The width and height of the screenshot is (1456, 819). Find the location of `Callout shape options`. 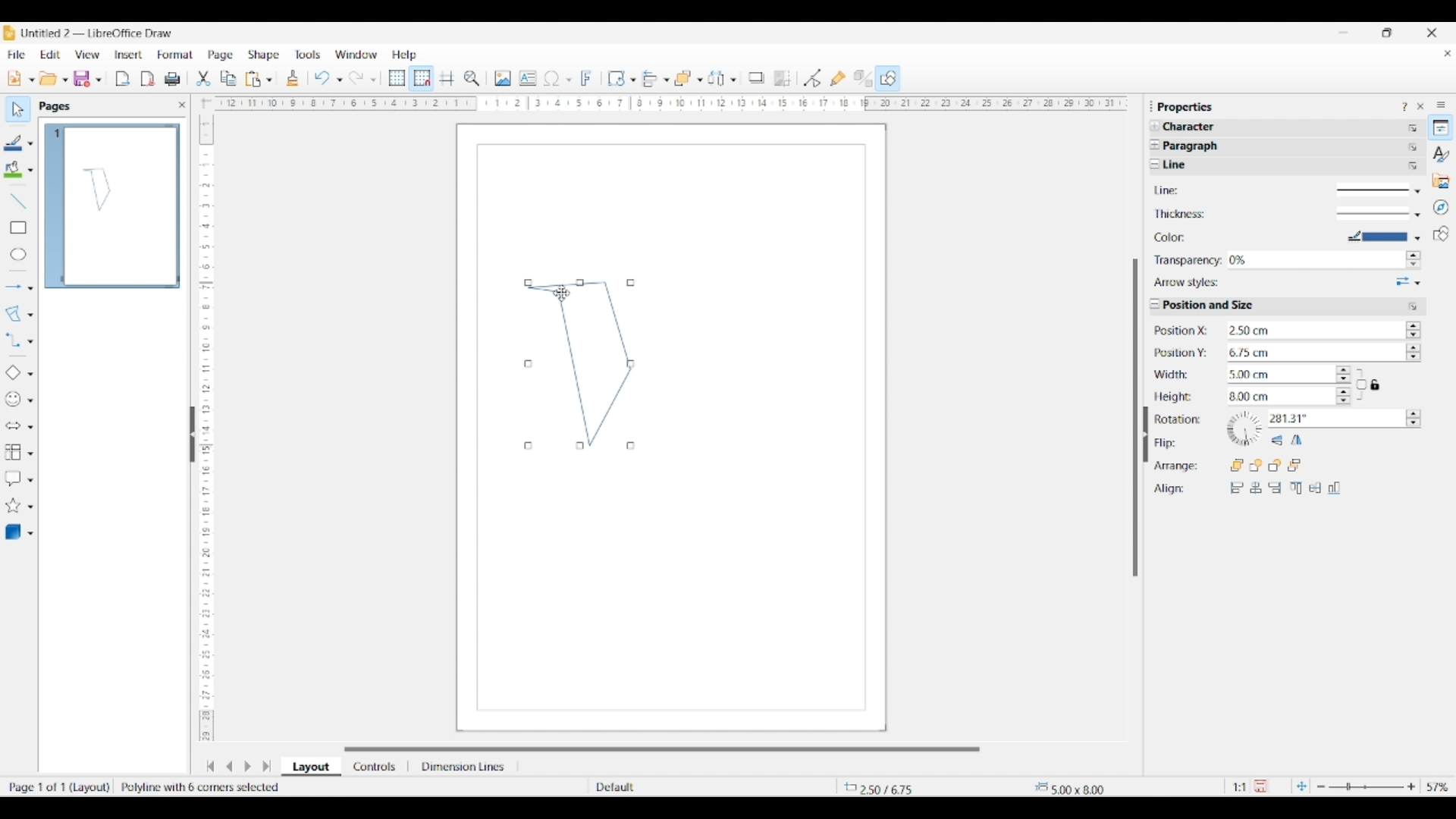

Callout shape options is located at coordinates (30, 480).